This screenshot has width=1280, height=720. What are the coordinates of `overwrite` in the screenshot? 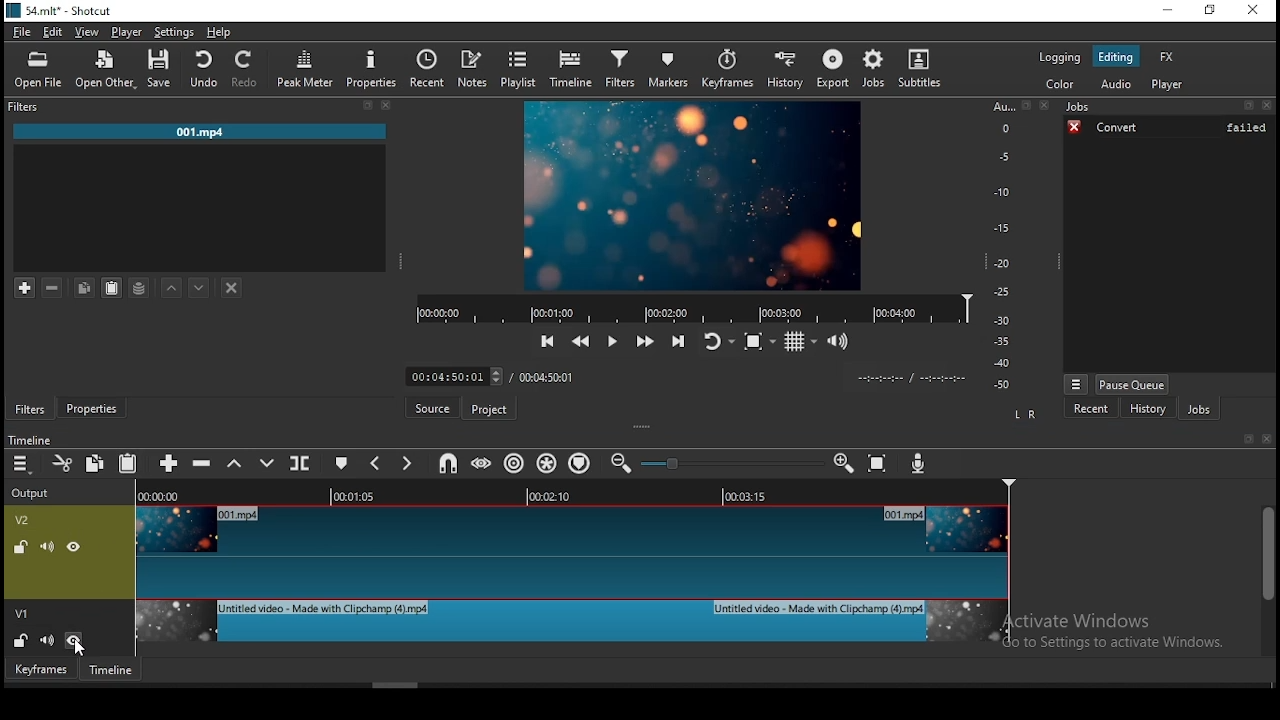 It's located at (263, 463).